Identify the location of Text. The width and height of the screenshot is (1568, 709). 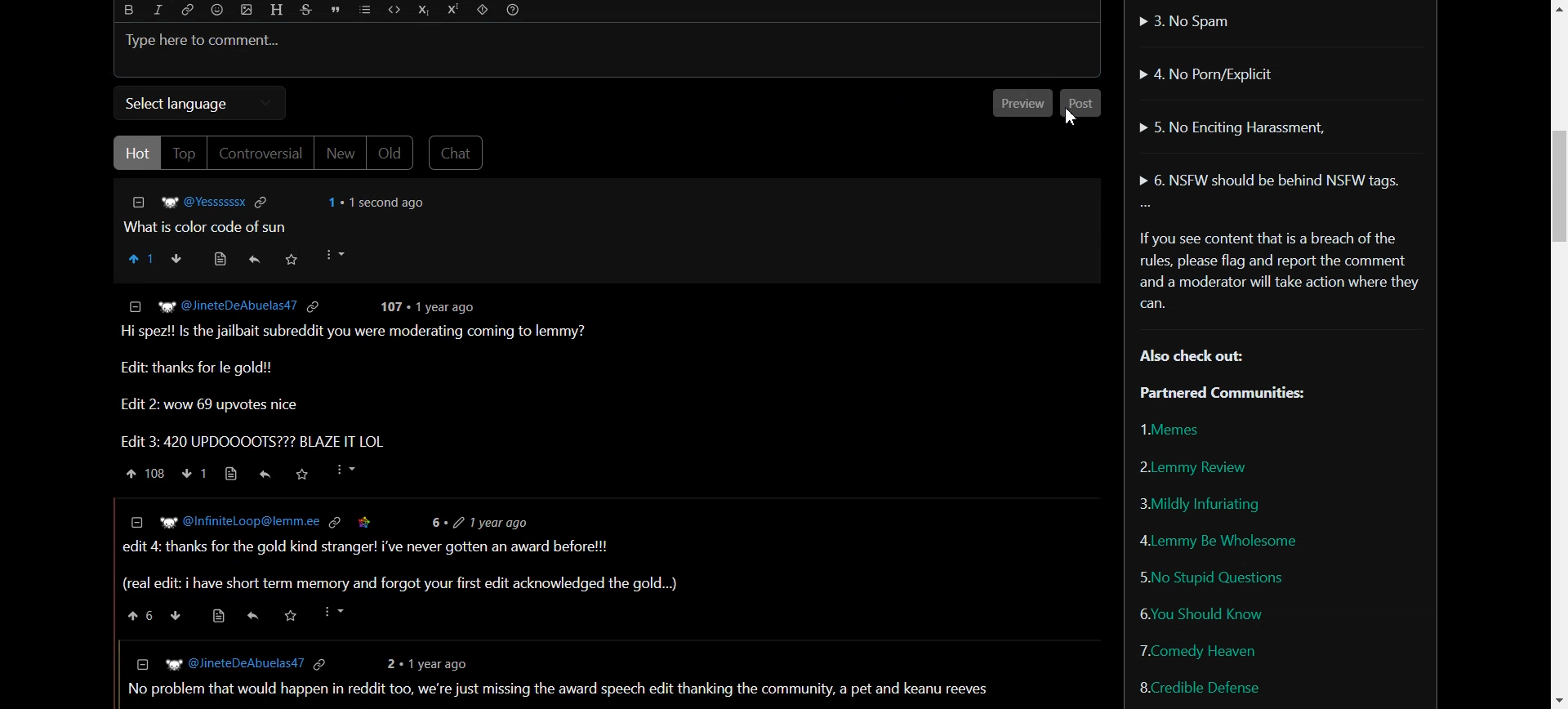
(1255, 354).